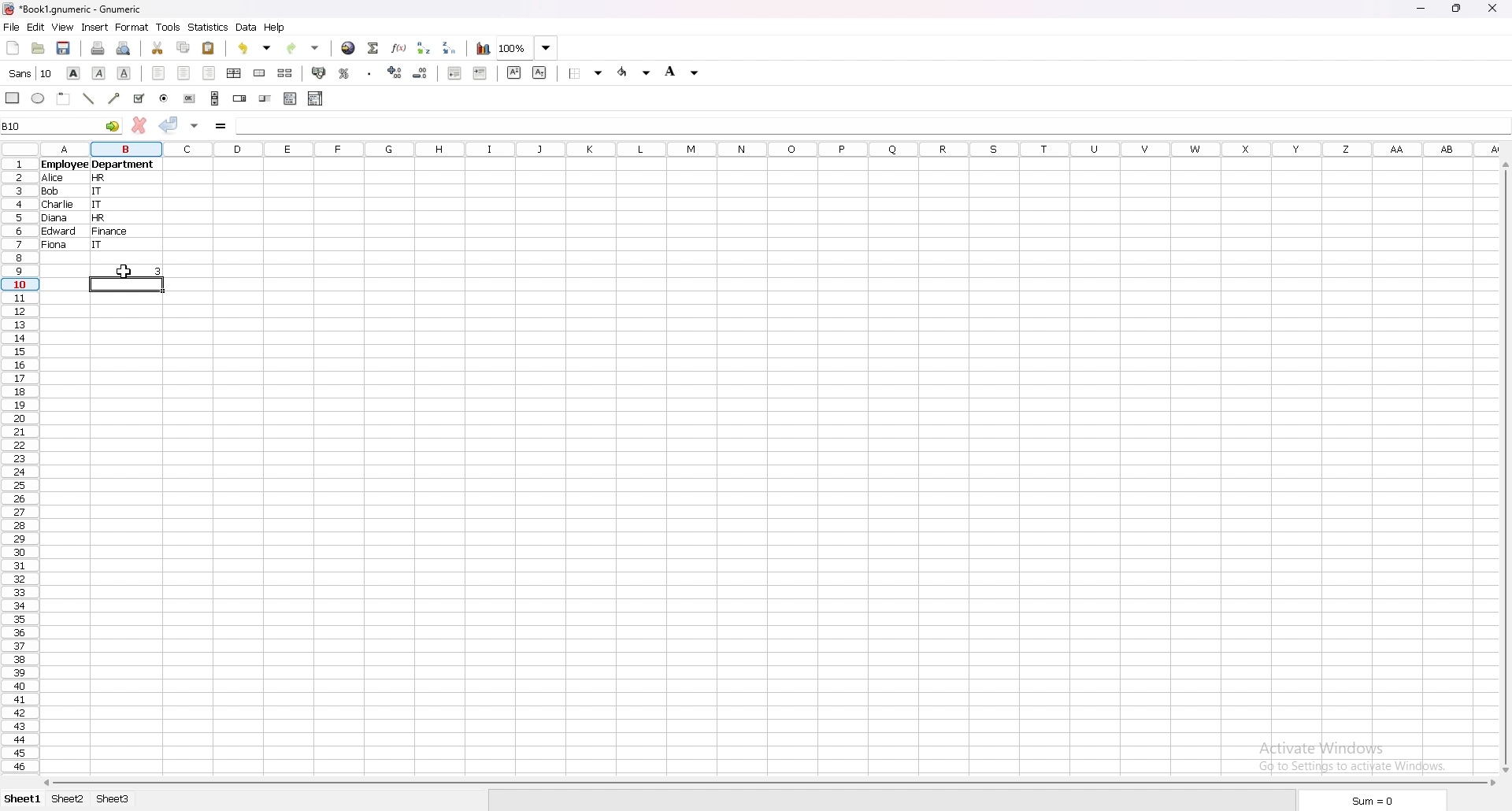 Image resolution: width=1512 pixels, height=811 pixels. I want to click on slider, so click(266, 99).